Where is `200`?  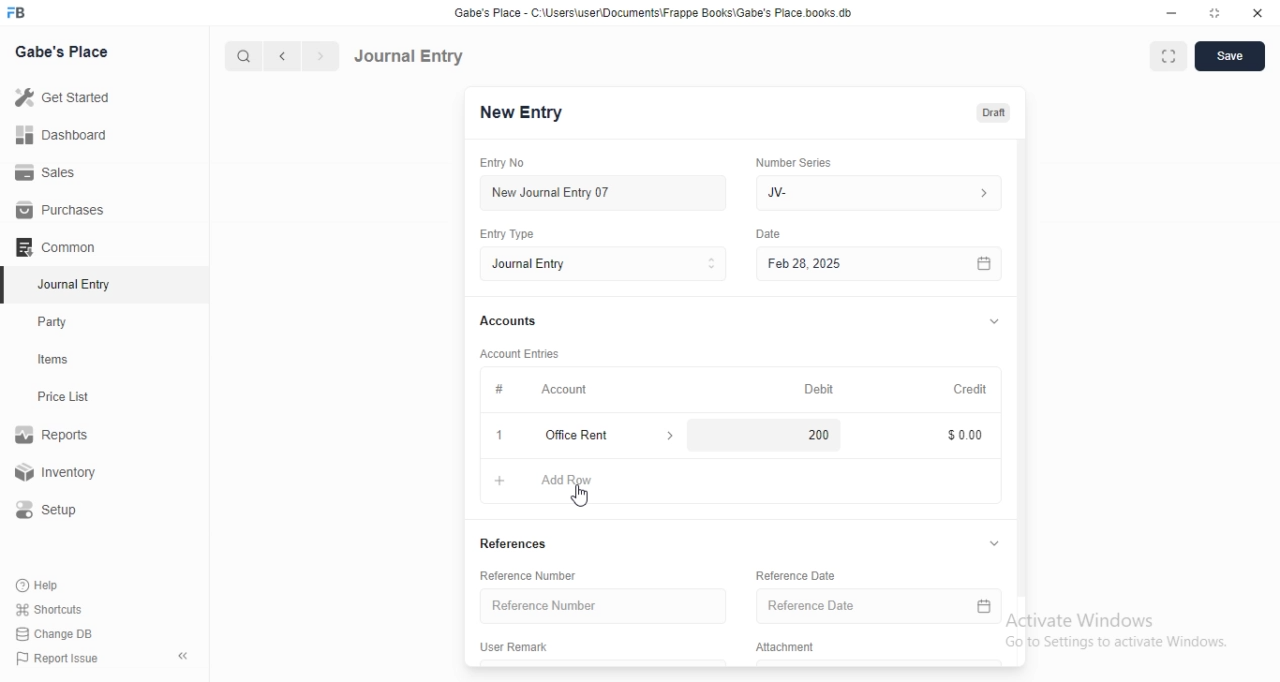 200 is located at coordinates (811, 435).